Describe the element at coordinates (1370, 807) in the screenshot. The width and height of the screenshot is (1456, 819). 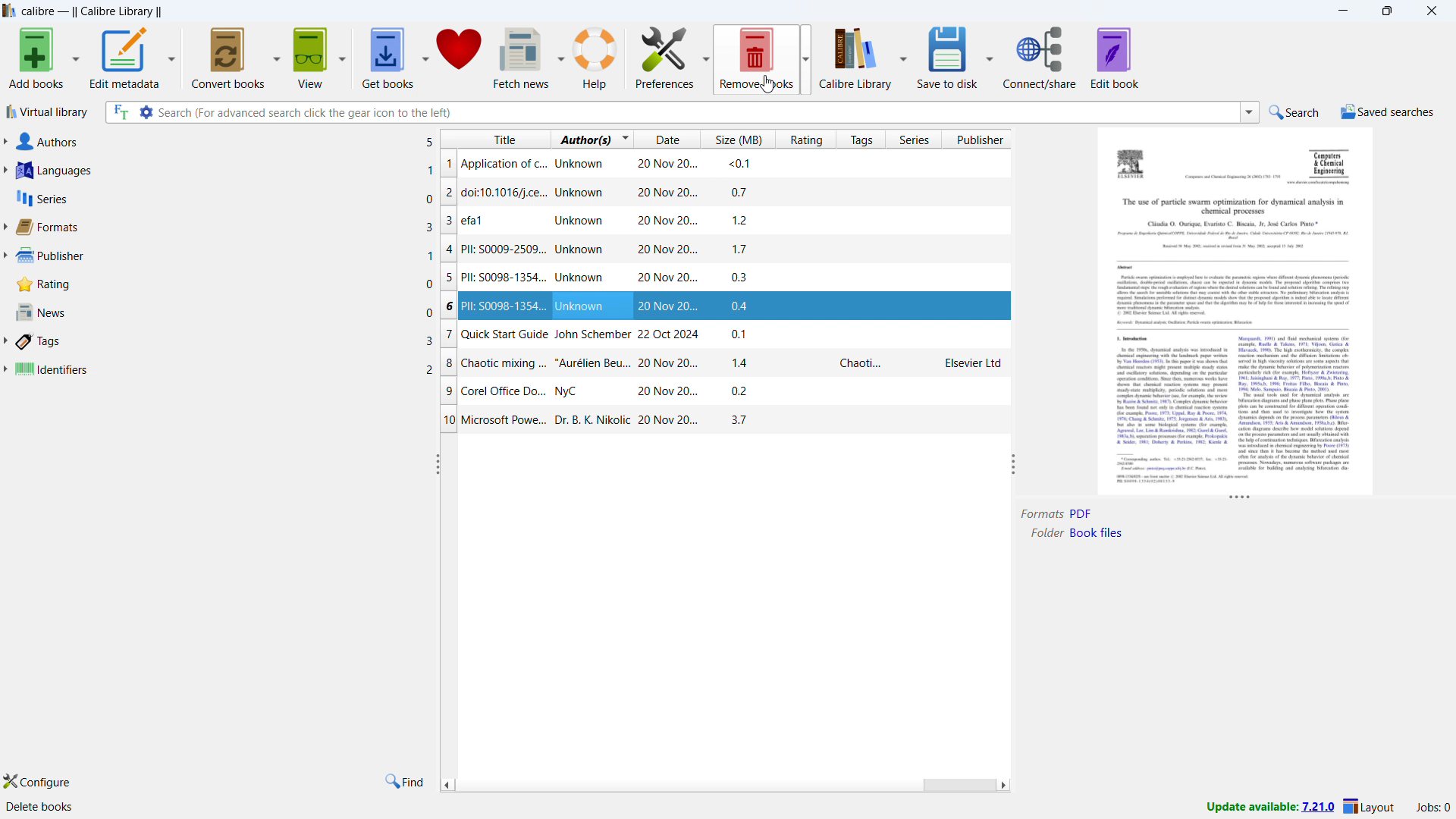
I see `layout` at that location.